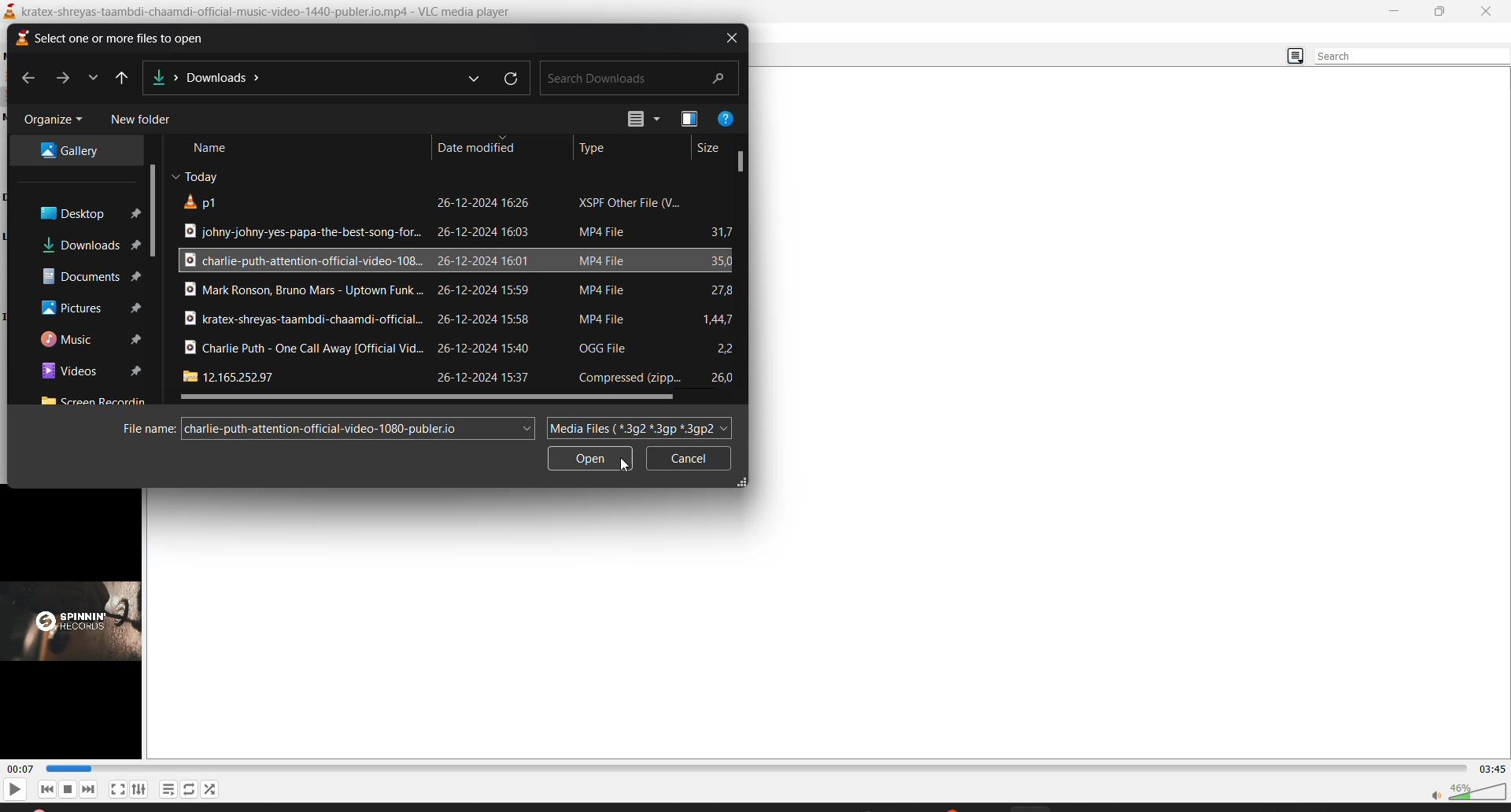 This screenshot has width=1511, height=812. I want to click on file title, so click(267, 375).